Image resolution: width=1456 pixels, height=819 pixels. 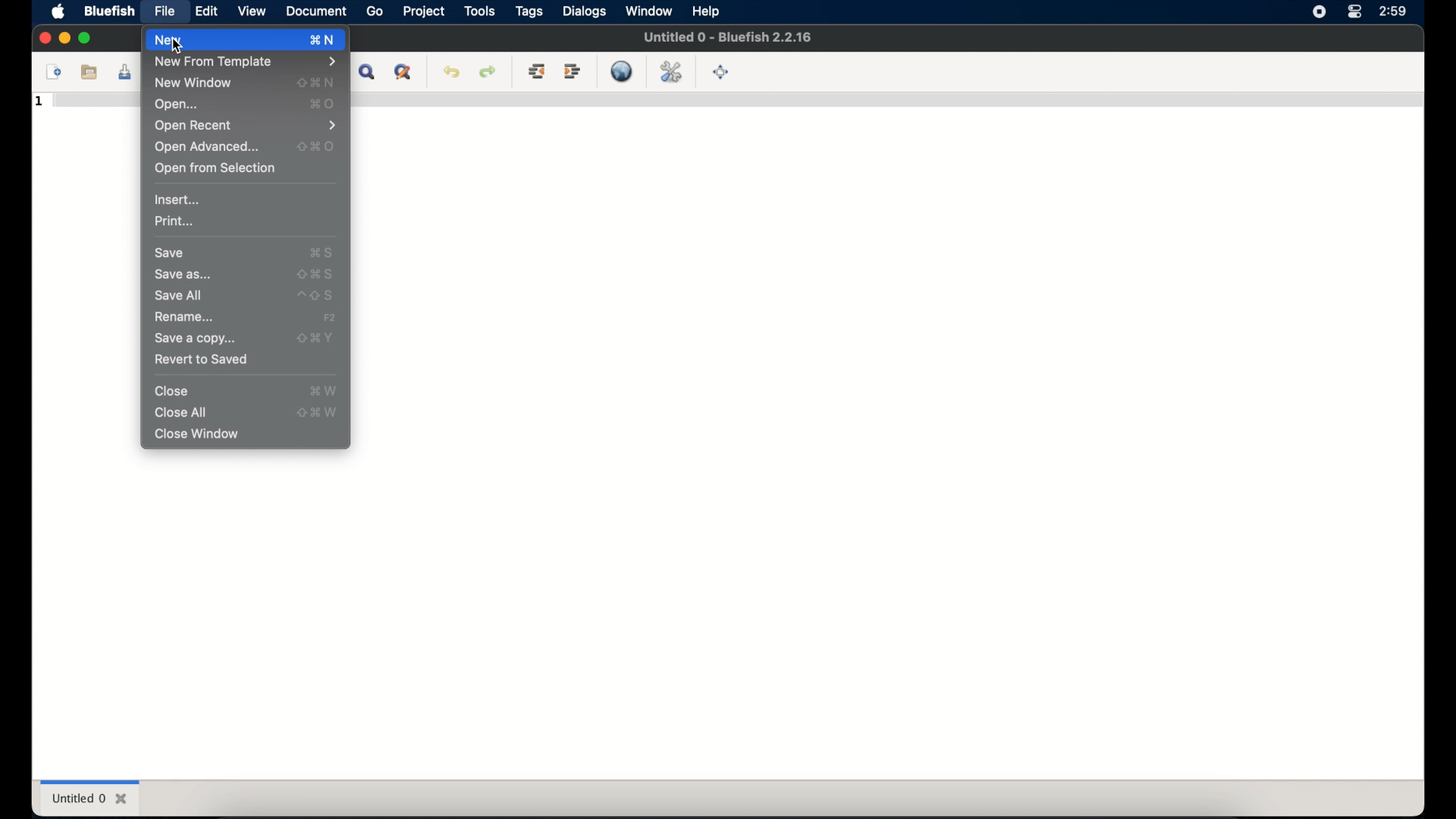 I want to click on save as, so click(x=183, y=275).